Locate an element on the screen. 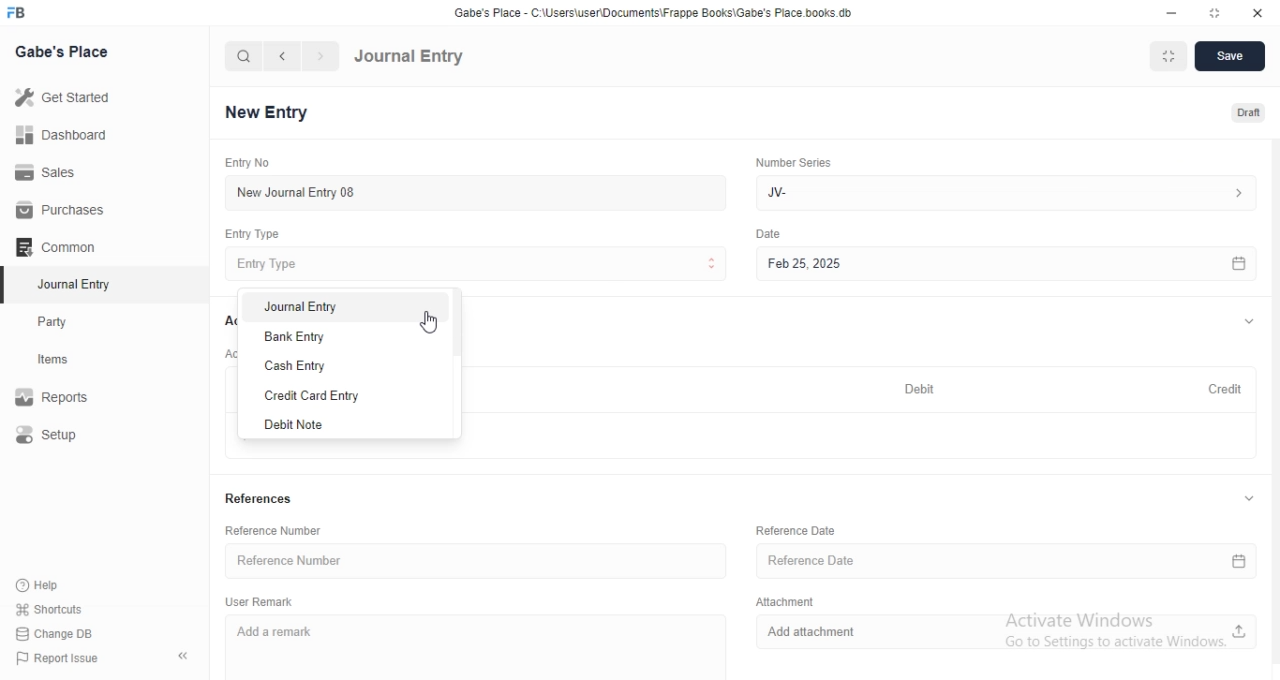 Image resolution: width=1280 pixels, height=680 pixels. Journal Entry is located at coordinates (71, 284).